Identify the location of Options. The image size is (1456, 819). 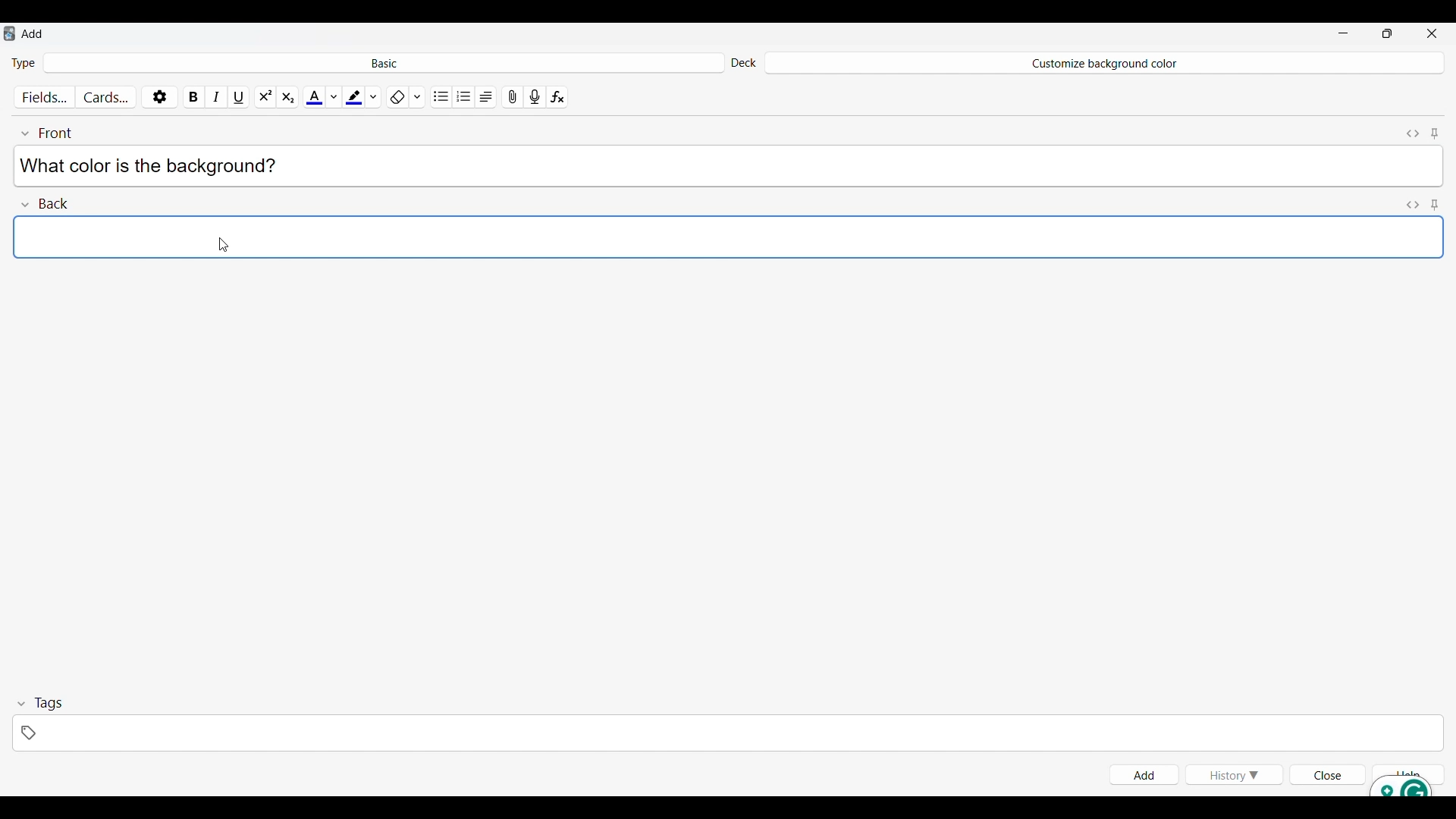
(159, 94).